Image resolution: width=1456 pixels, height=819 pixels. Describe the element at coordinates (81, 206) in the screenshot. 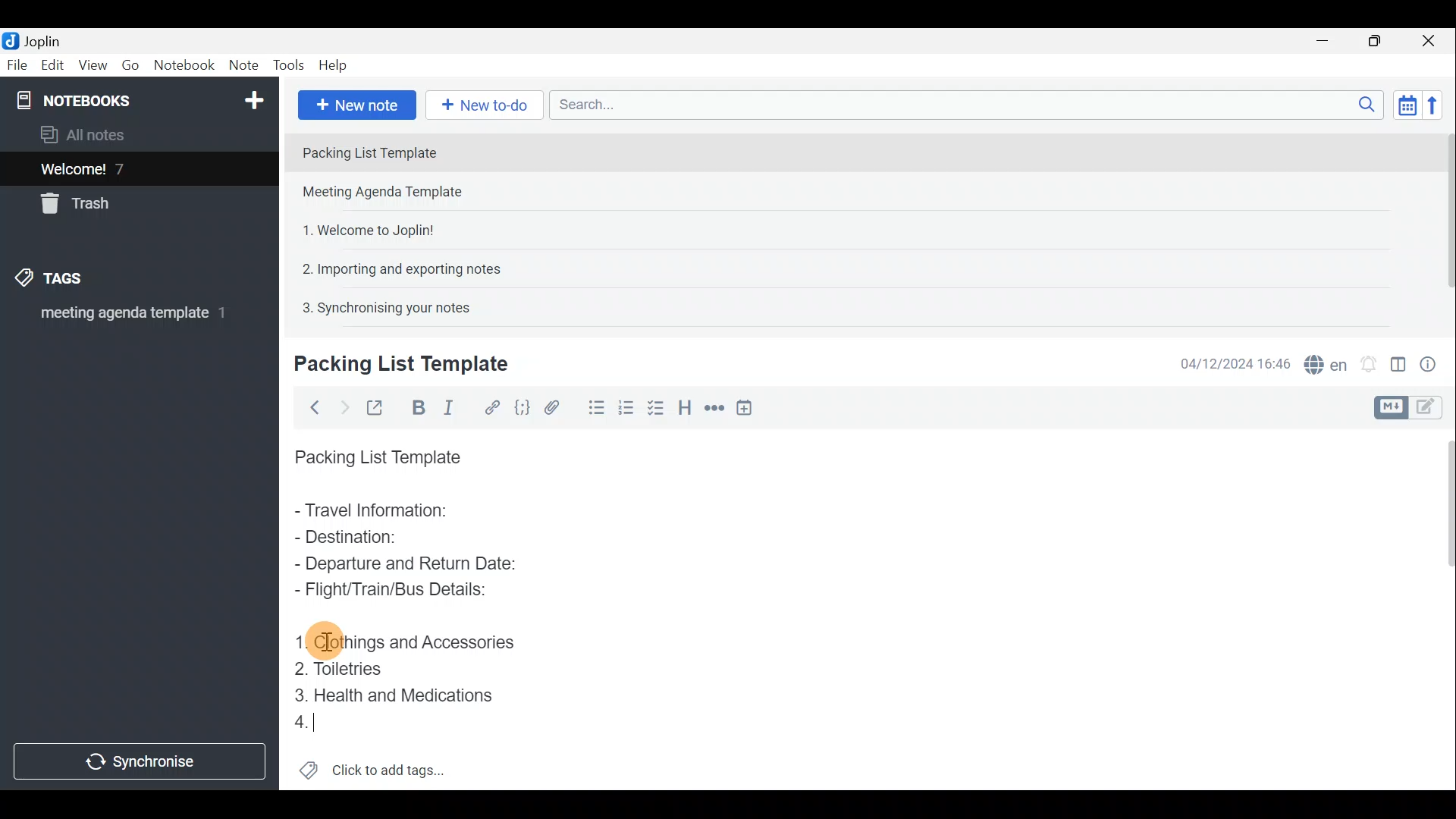

I see `Trash` at that location.